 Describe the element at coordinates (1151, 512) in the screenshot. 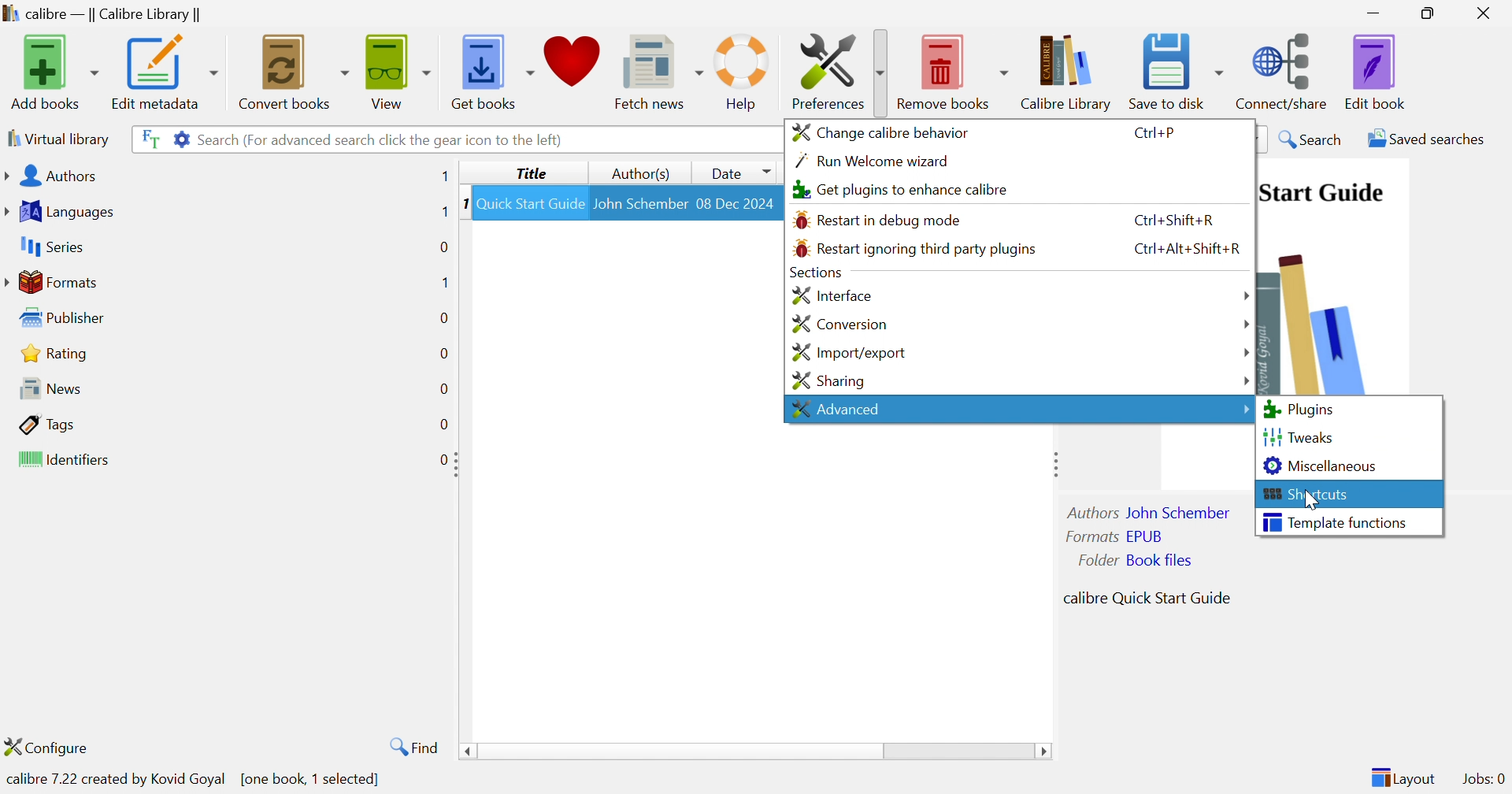

I see `Authors John Schember` at that location.